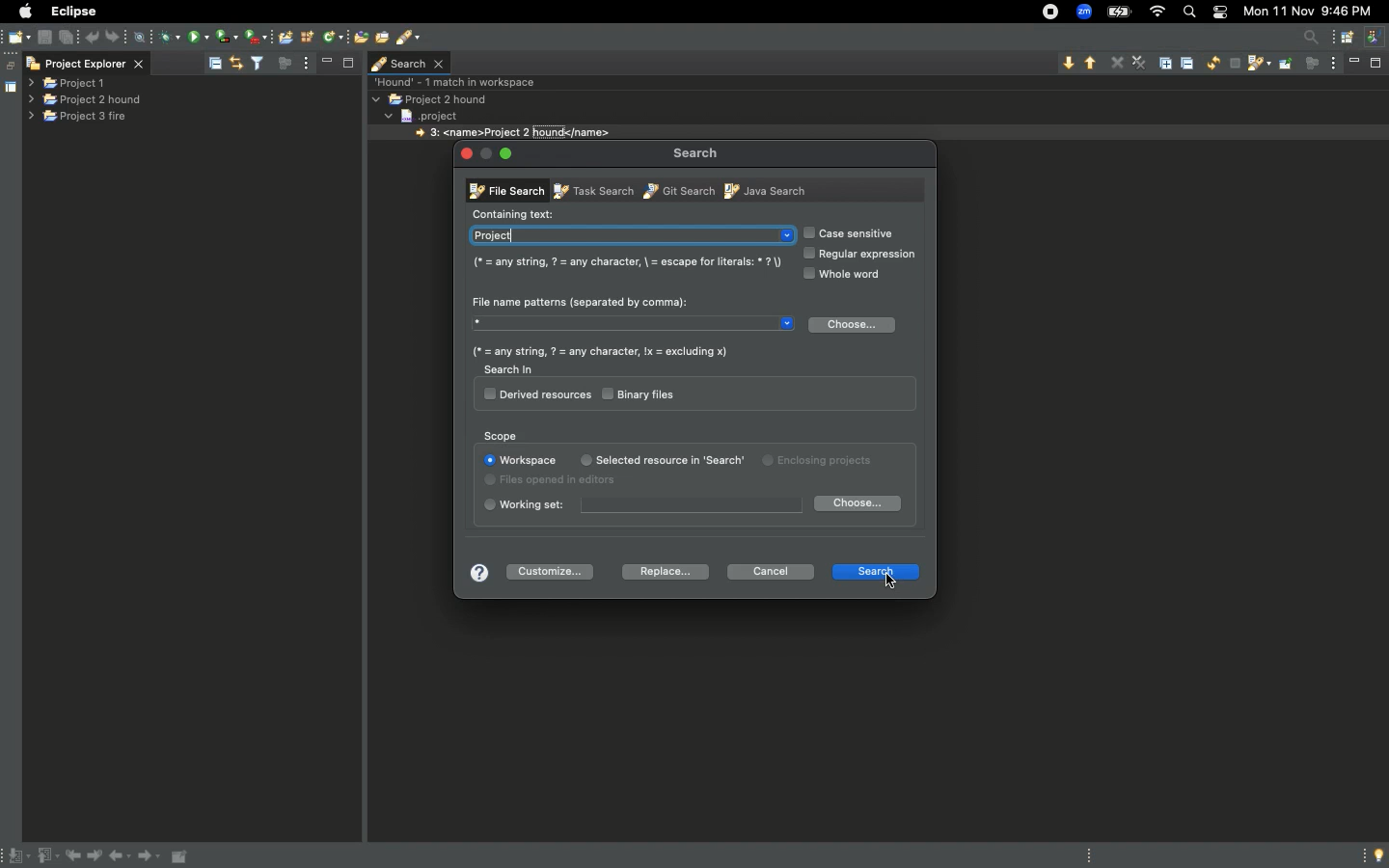  I want to click on minimise, so click(1356, 65).